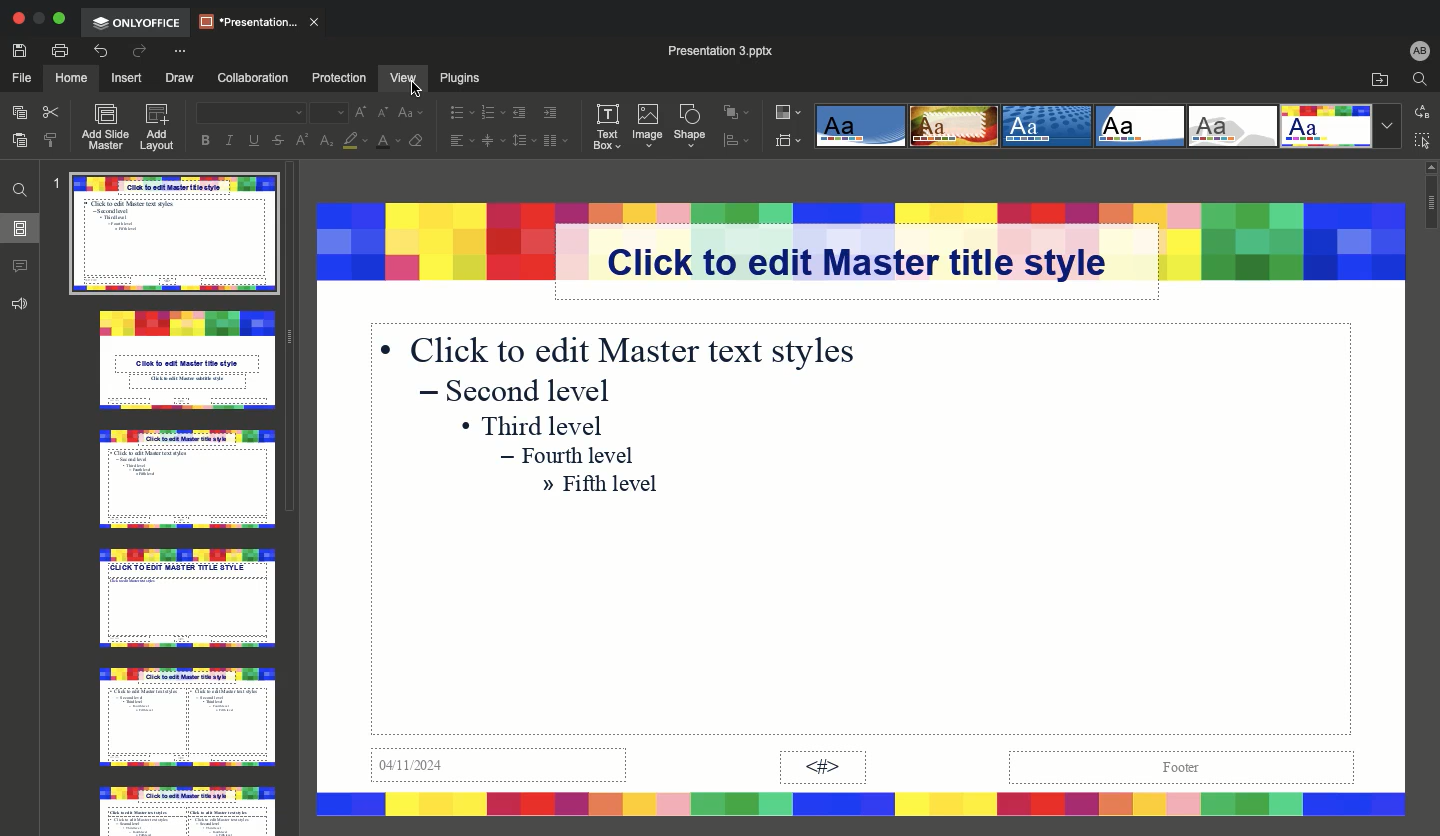 This screenshot has width=1440, height=836. I want to click on Copy style, so click(50, 142).